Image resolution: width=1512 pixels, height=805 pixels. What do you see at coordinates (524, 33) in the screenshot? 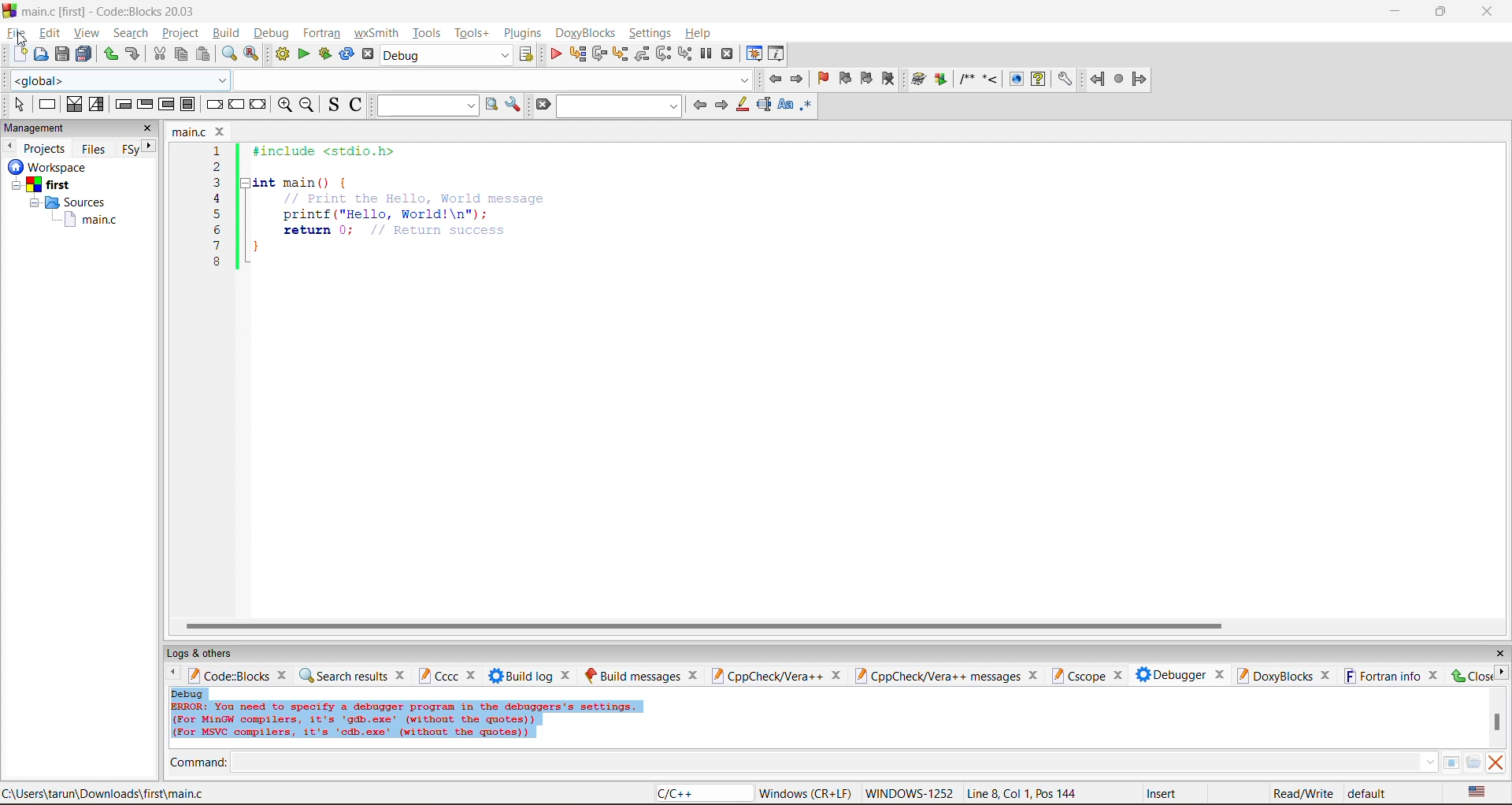
I see `plugins` at bounding box center [524, 33].